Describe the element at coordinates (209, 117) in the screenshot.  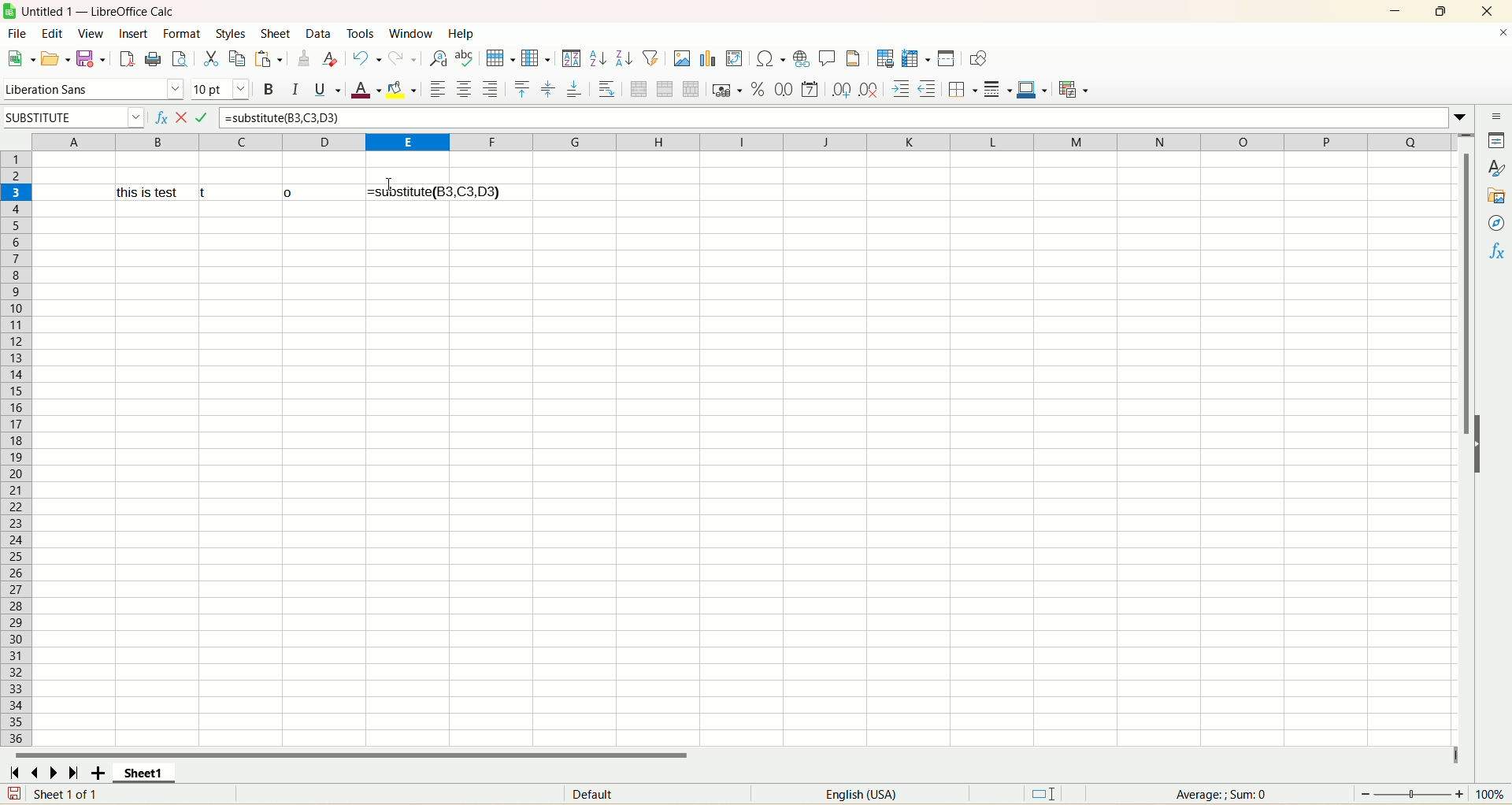
I see `formula` at that location.